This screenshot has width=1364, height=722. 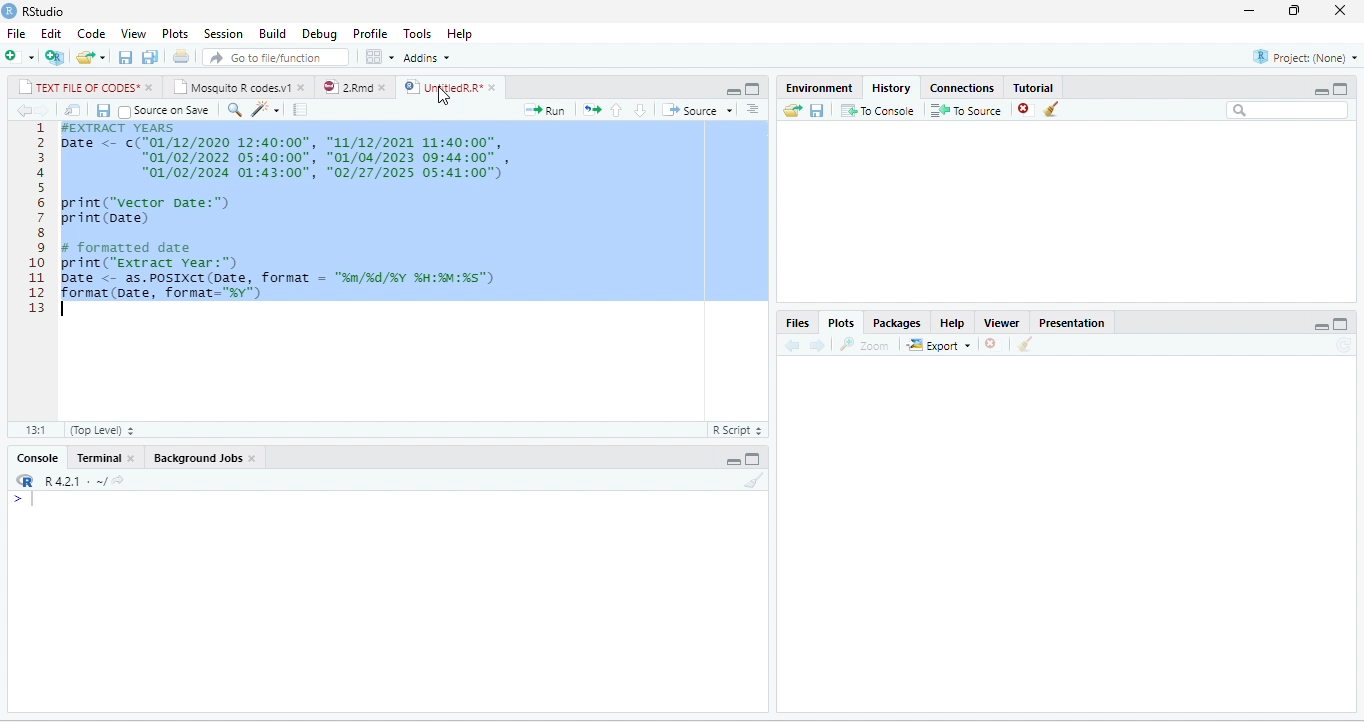 I want to click on Presentation, so click(x=1072, y=323).